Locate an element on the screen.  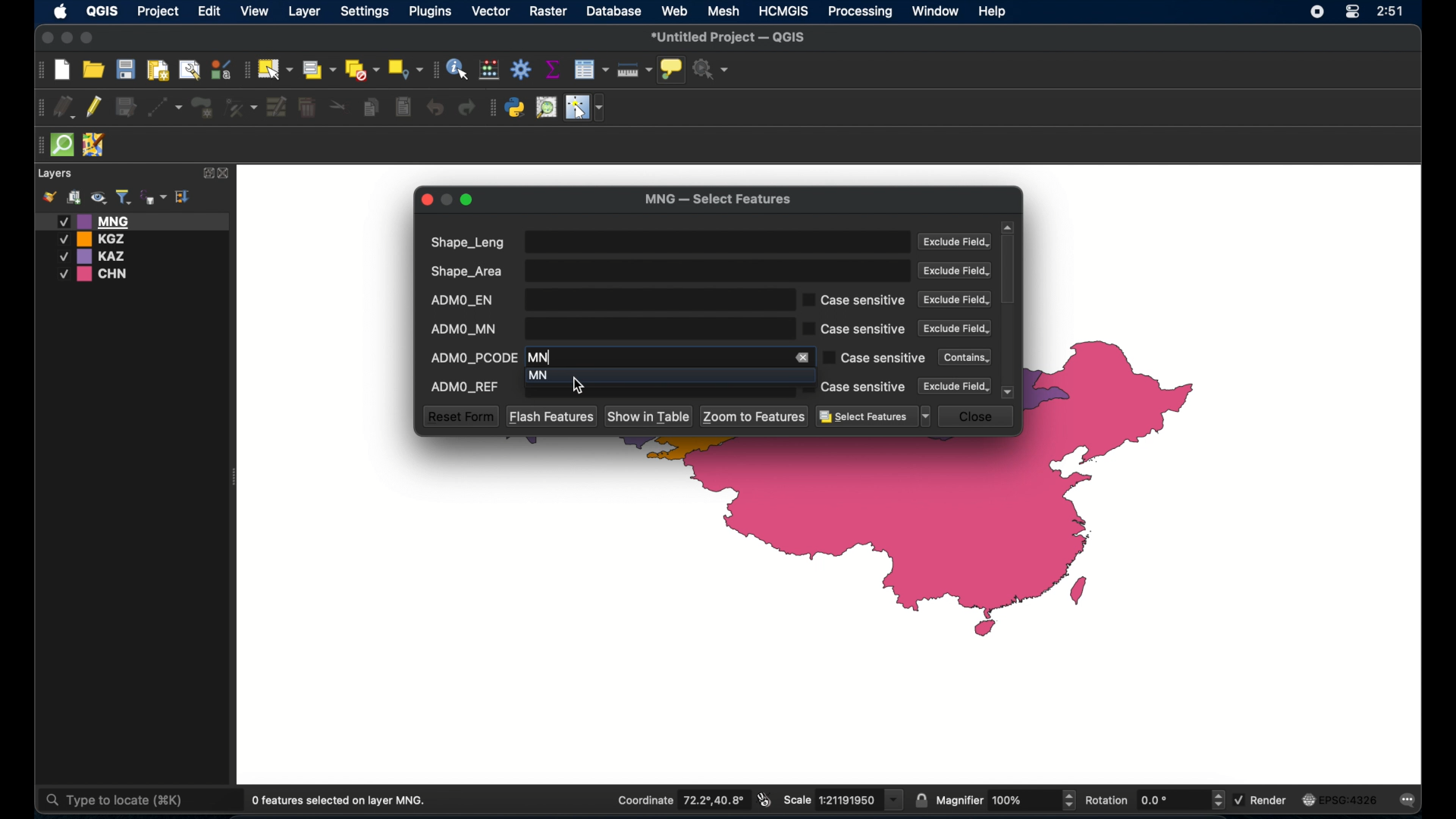
apple icon is located at coordinates (61, 13).